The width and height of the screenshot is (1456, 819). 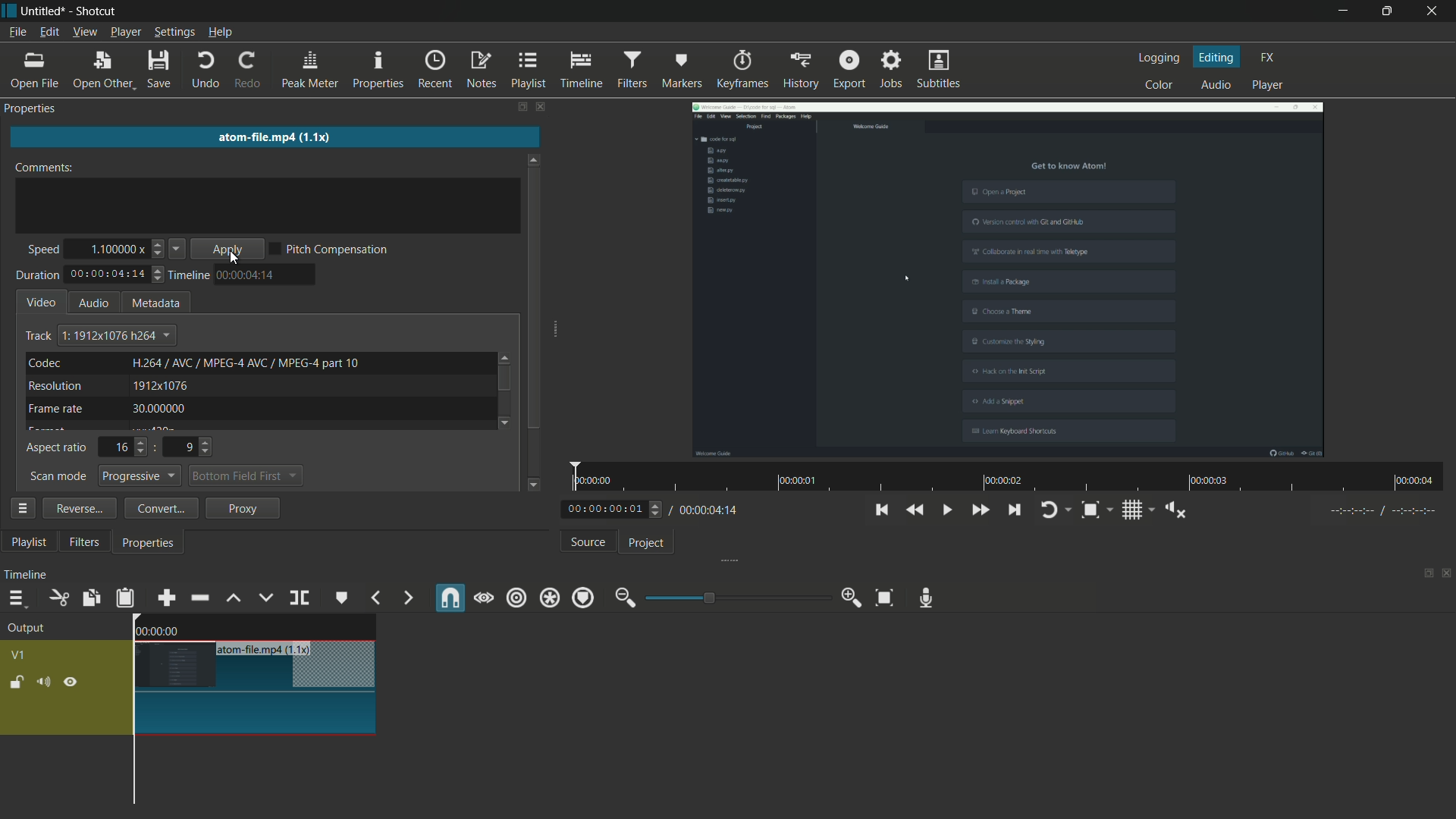 I want to click on 30, so click(x=162, y=410).